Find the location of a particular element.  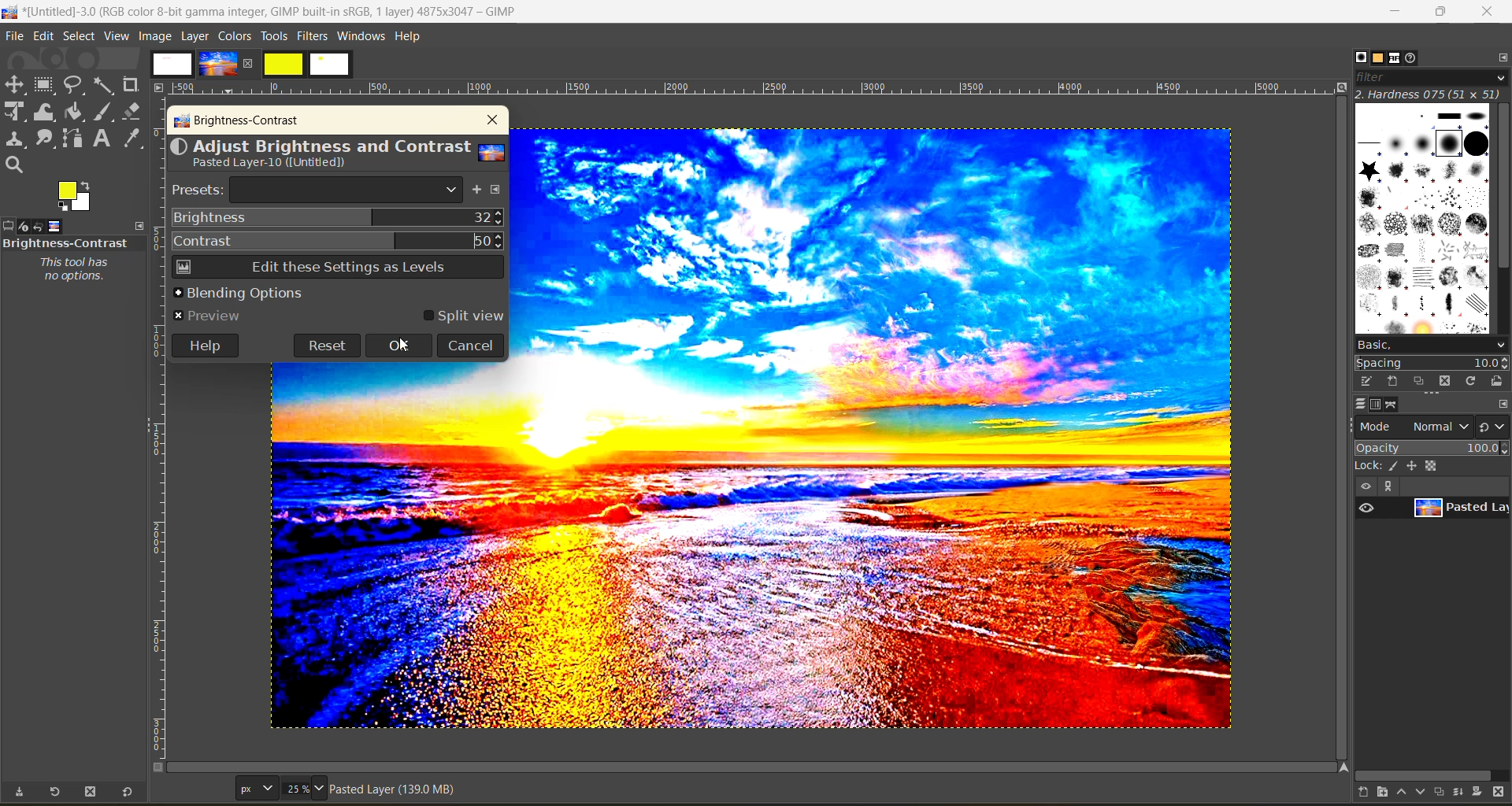

contrast is located at coordinates (338, 238).